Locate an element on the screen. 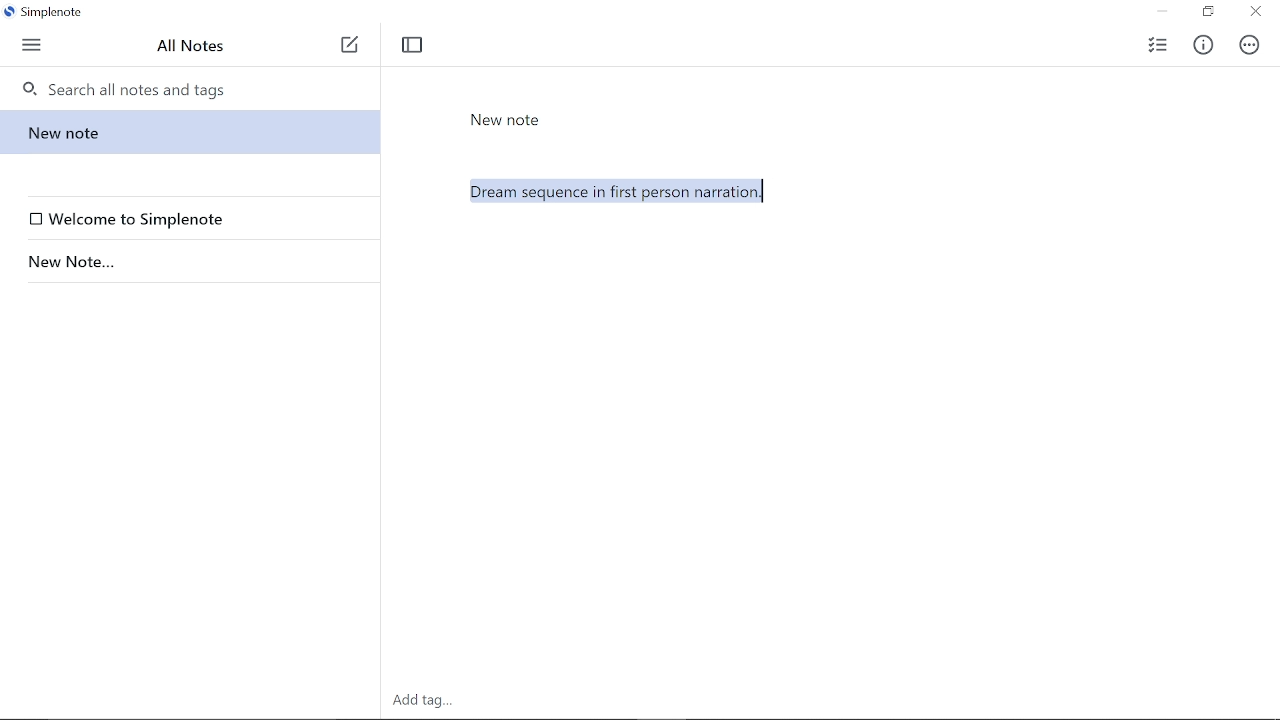 The width and height of the screenshot is (1280, 720). Dream sequence in first person narration. is located at coordinates (838, 336).